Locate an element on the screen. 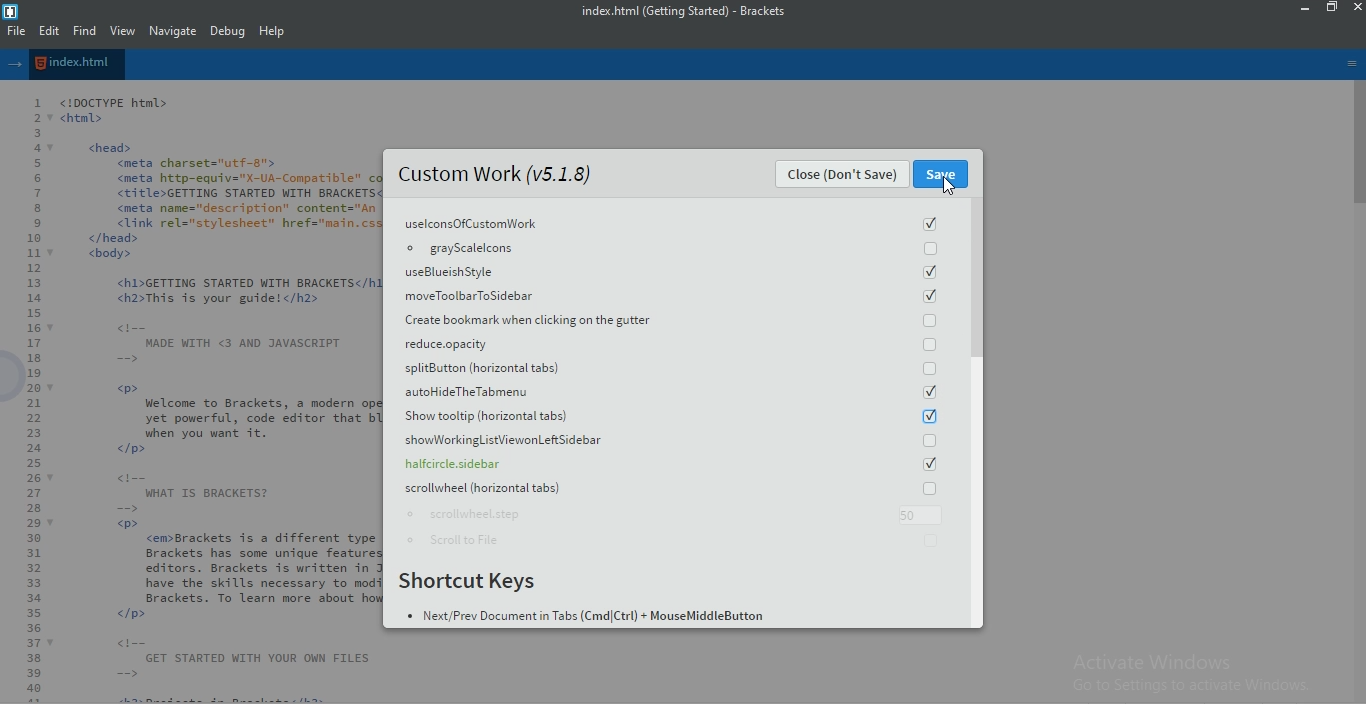 This screenshot has width=1366, height=704. close is located at coordinates (1357, 7).